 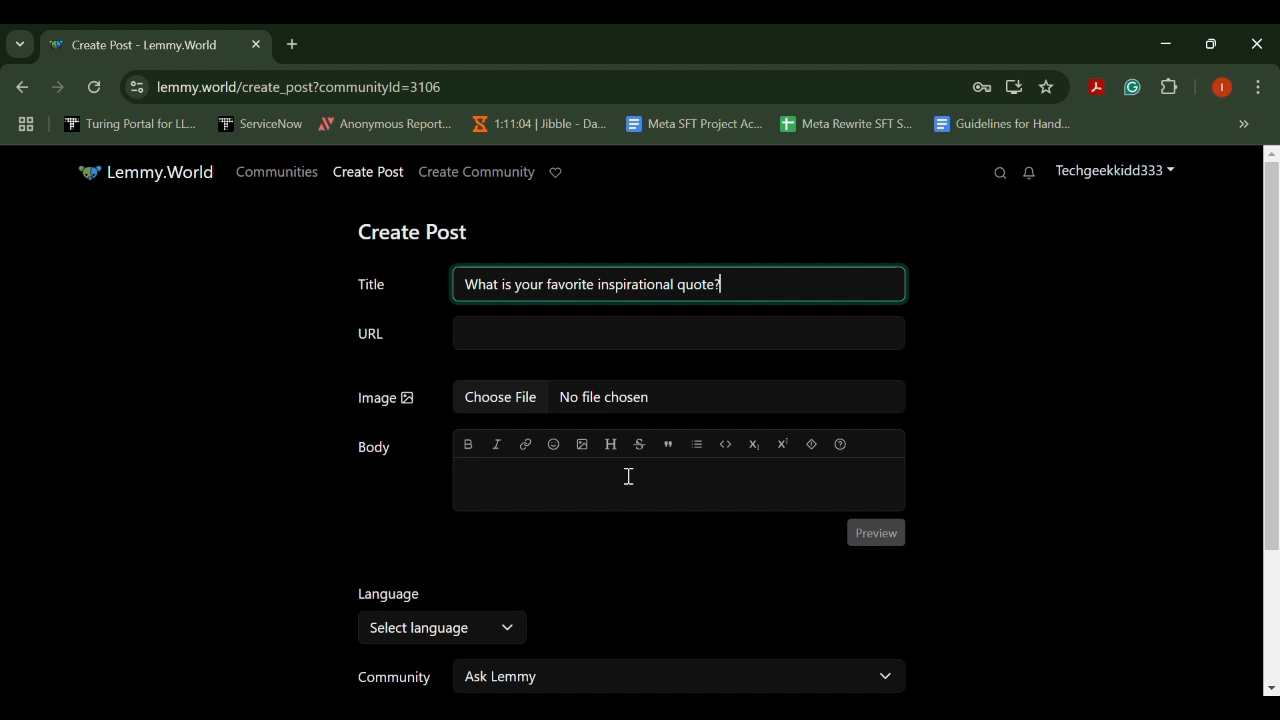 What do you see at coordinates (58, 90) in the screenshot?
I see `Next Webpage` at bounding box center [58, 90].